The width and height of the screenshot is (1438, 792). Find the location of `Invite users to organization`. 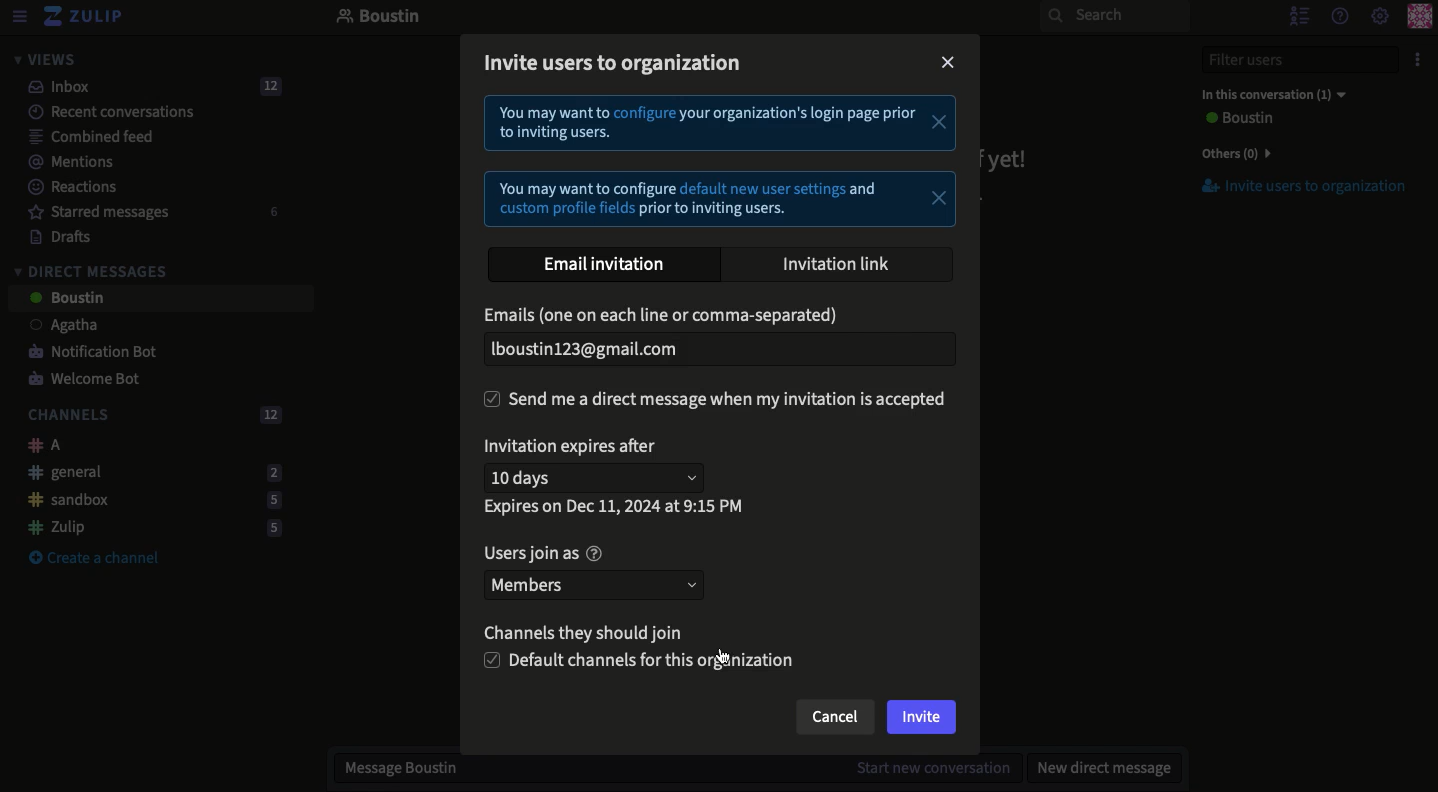

Invite users to organization is located at coordinates (1293, 187).